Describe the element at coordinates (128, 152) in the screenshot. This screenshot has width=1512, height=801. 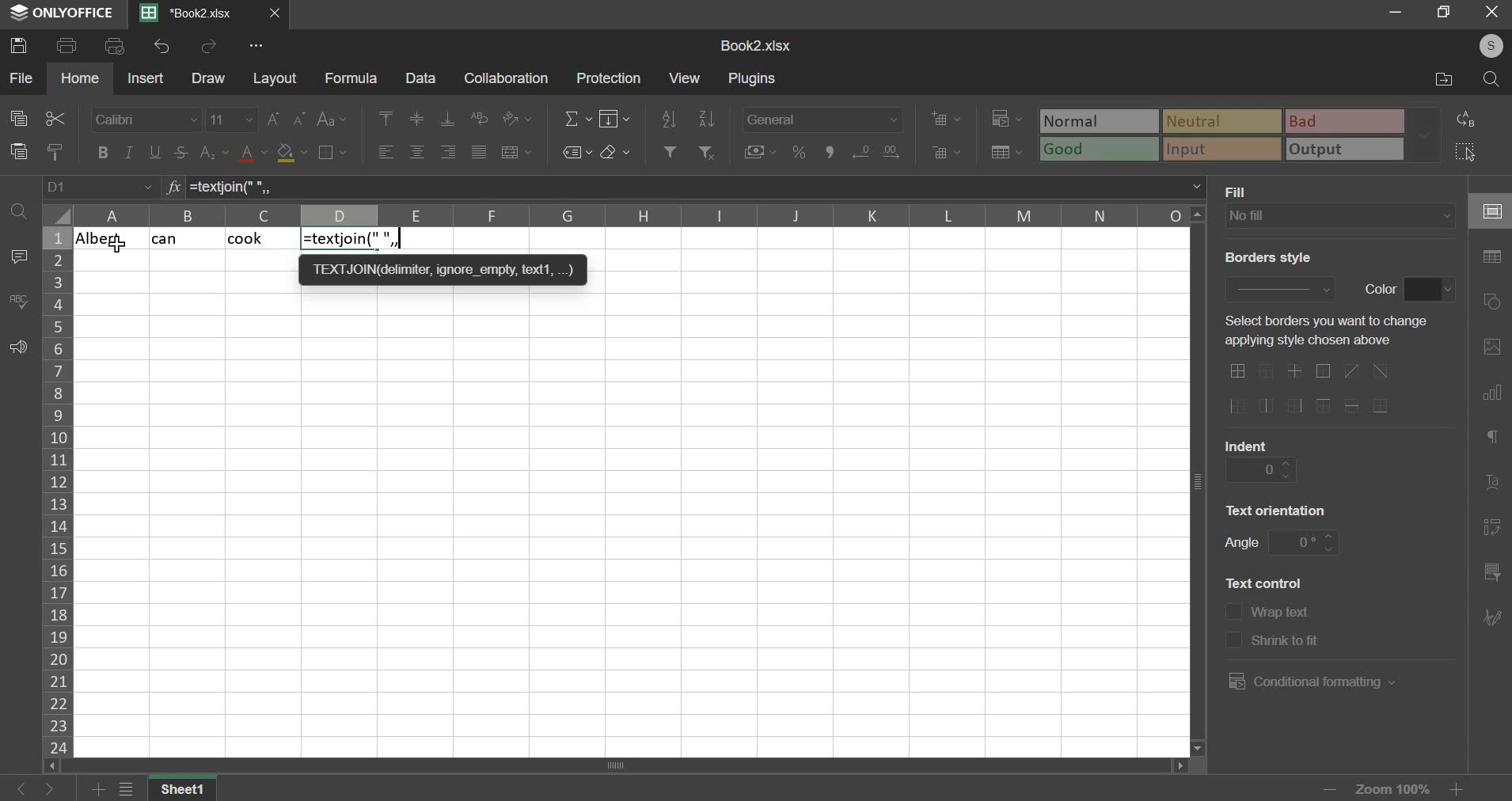
I see `italic` at that location.